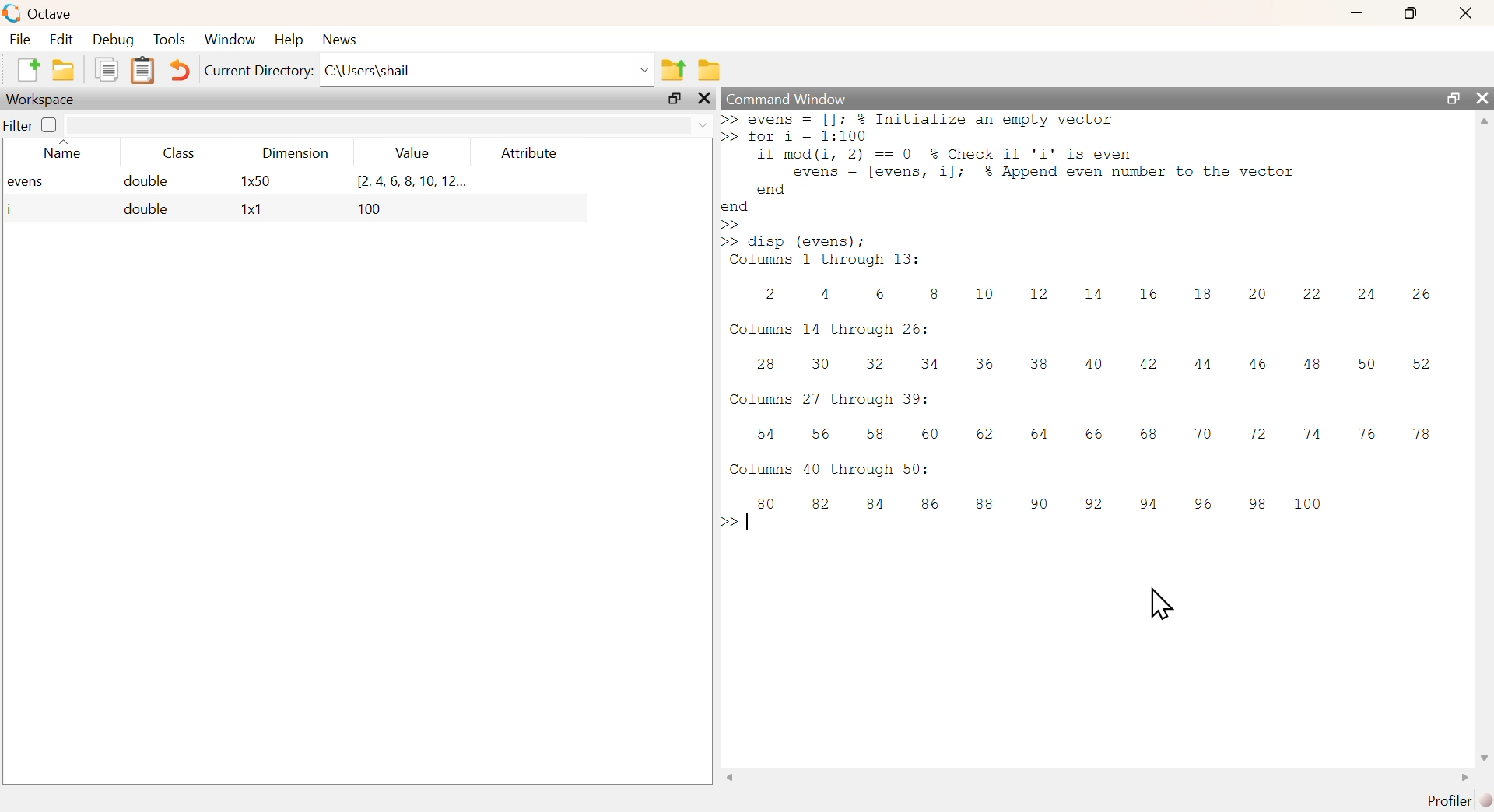  I want to click on window, so click(231, 40).